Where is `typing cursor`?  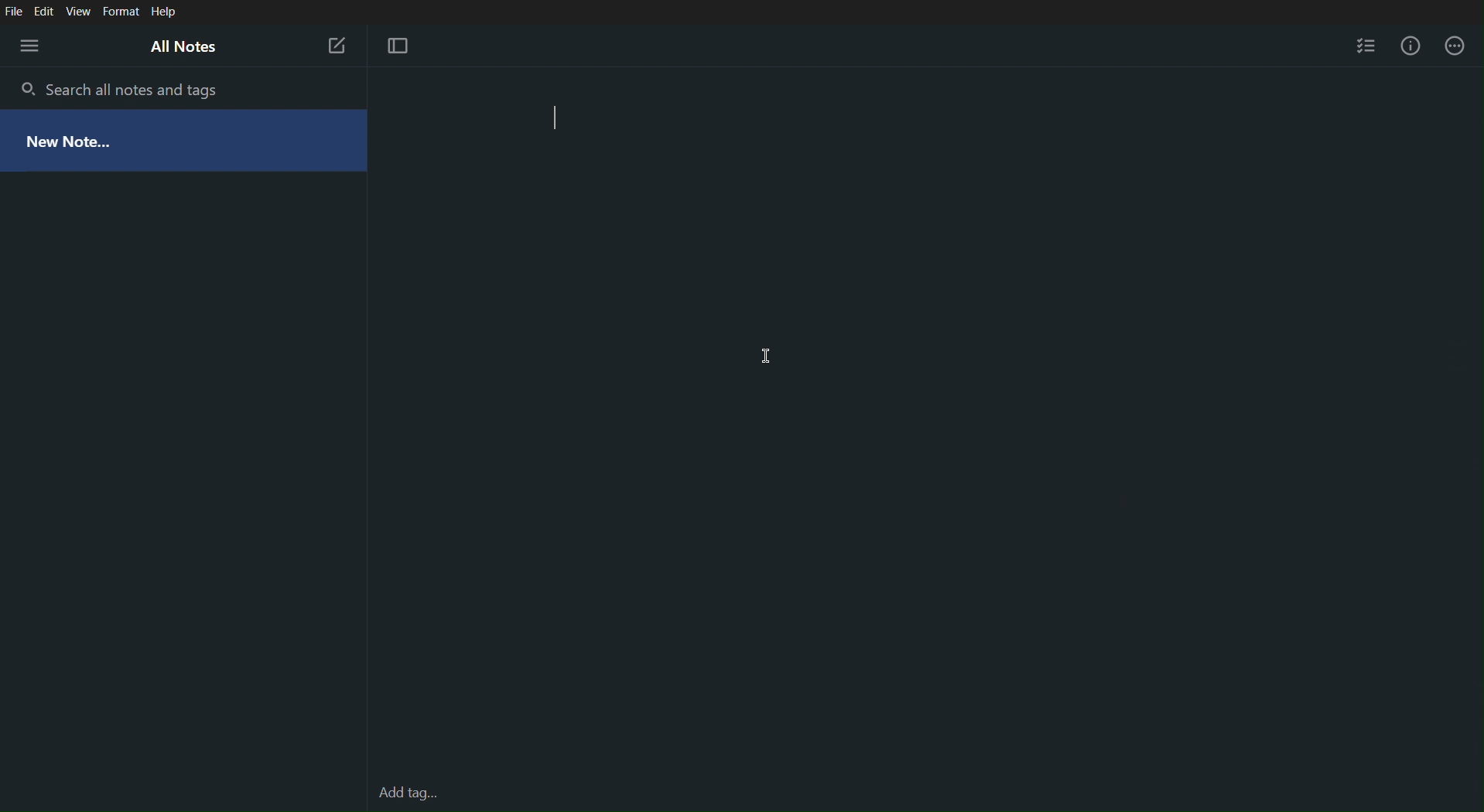
typing cursor is located at coordinates (558, 119).